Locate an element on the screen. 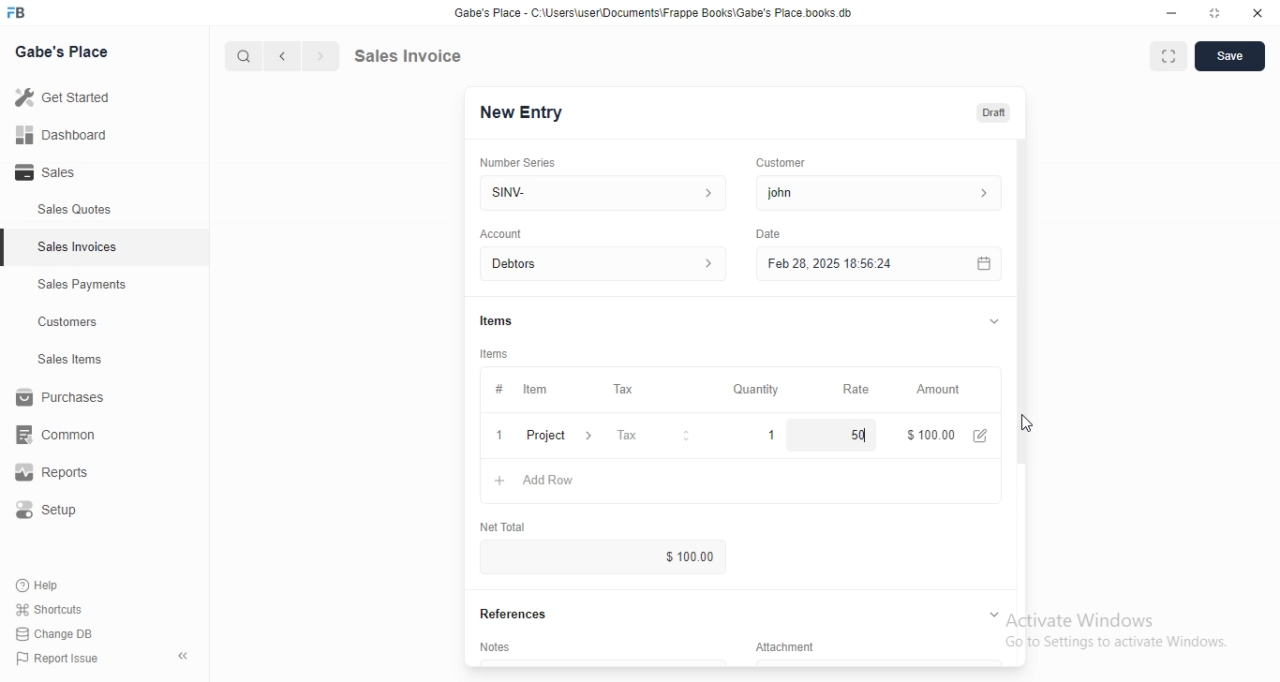  SINV- is located at coordinates (602, 191).